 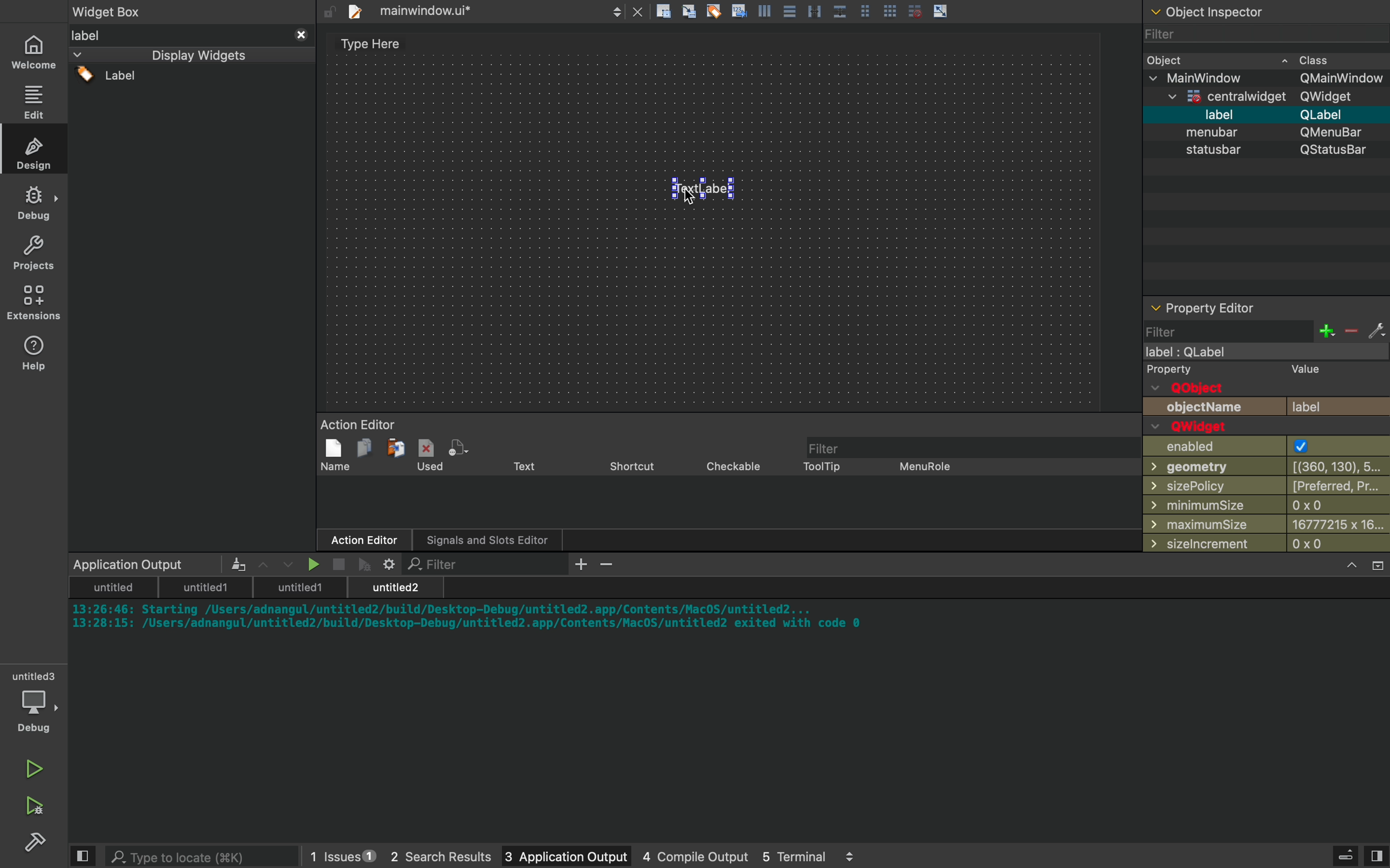 What do you see at coordinates (37, 704) in the screenshot?
I see `debug` at bounding box center [37, 704].